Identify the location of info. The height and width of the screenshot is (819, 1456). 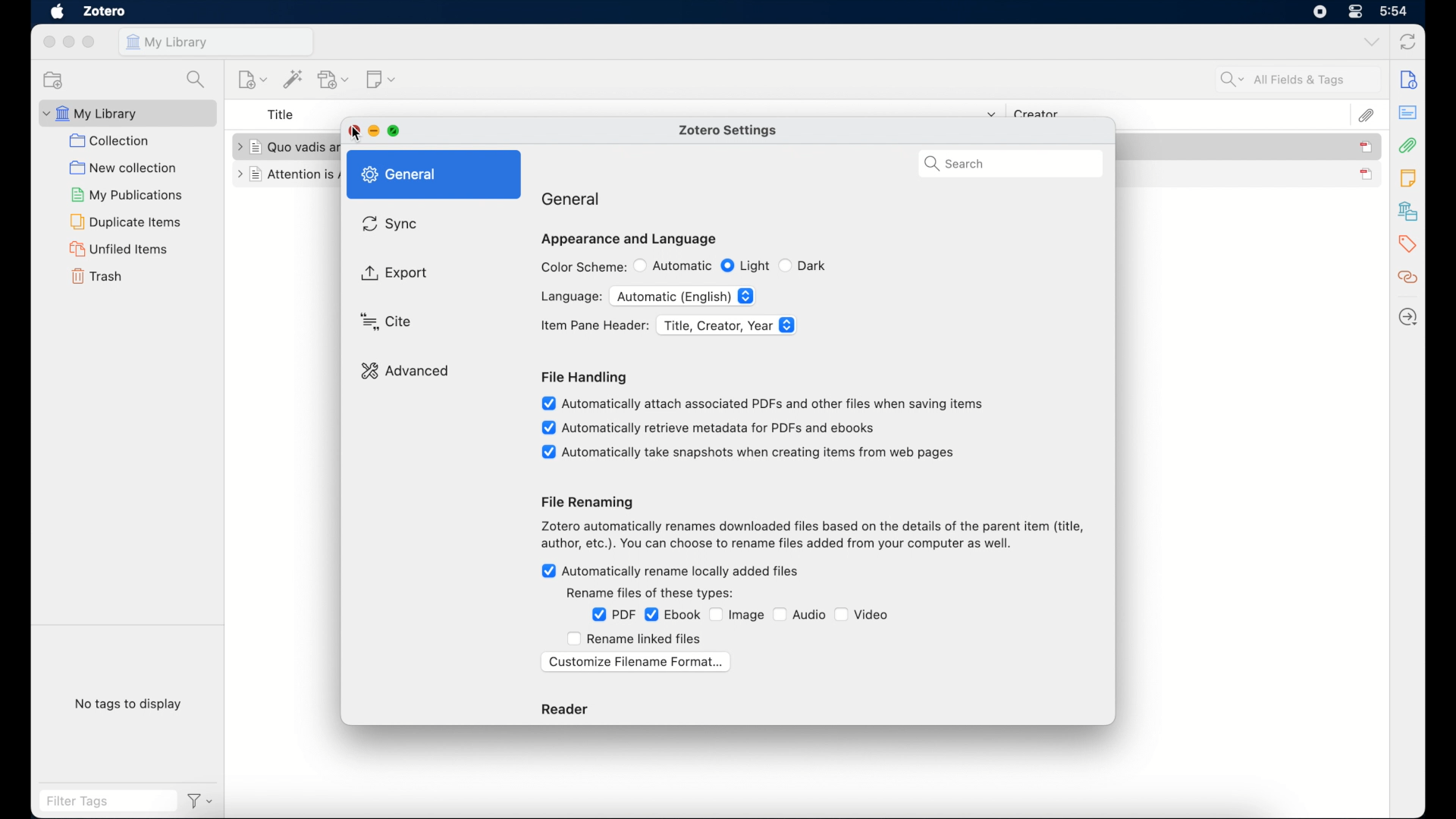
(1408, 80).